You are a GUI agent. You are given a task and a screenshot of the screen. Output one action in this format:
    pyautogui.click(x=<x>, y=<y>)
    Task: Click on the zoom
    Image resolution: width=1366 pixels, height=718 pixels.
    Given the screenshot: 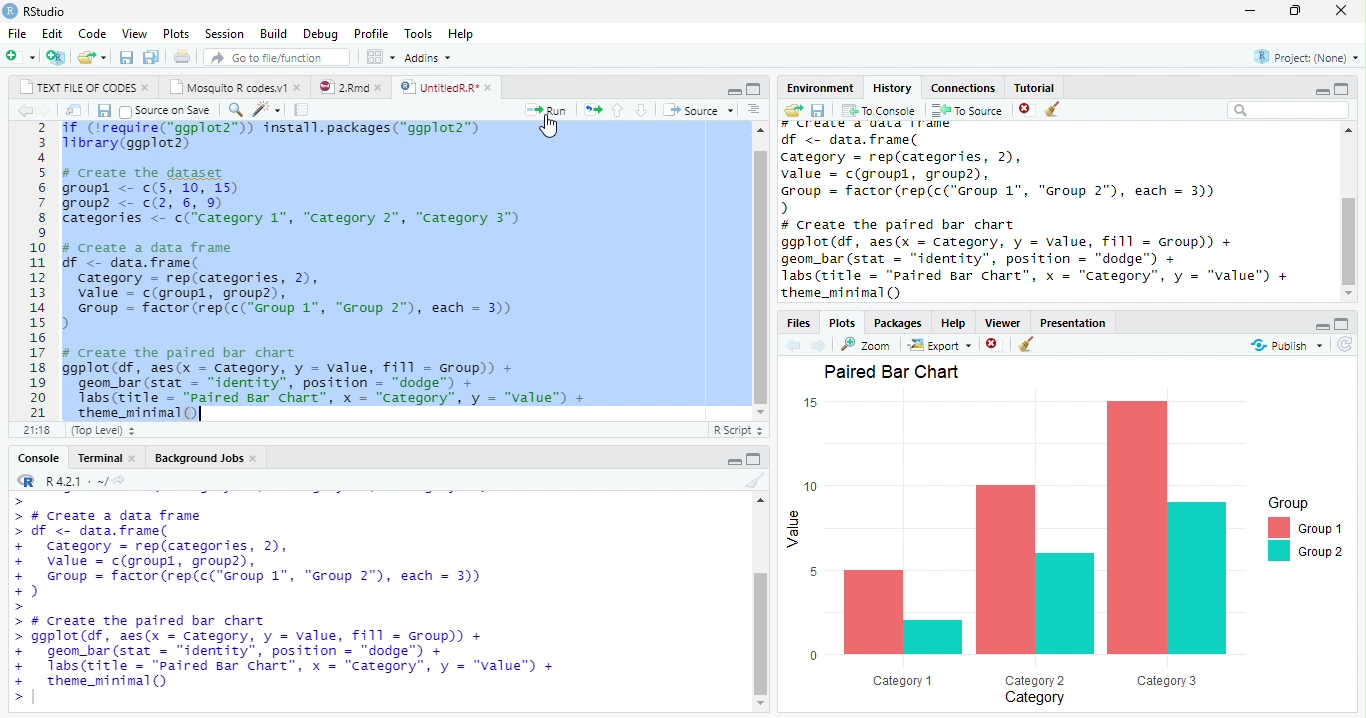 What is the action you would take?
    pyautogui.click(x=867, y=344)
    